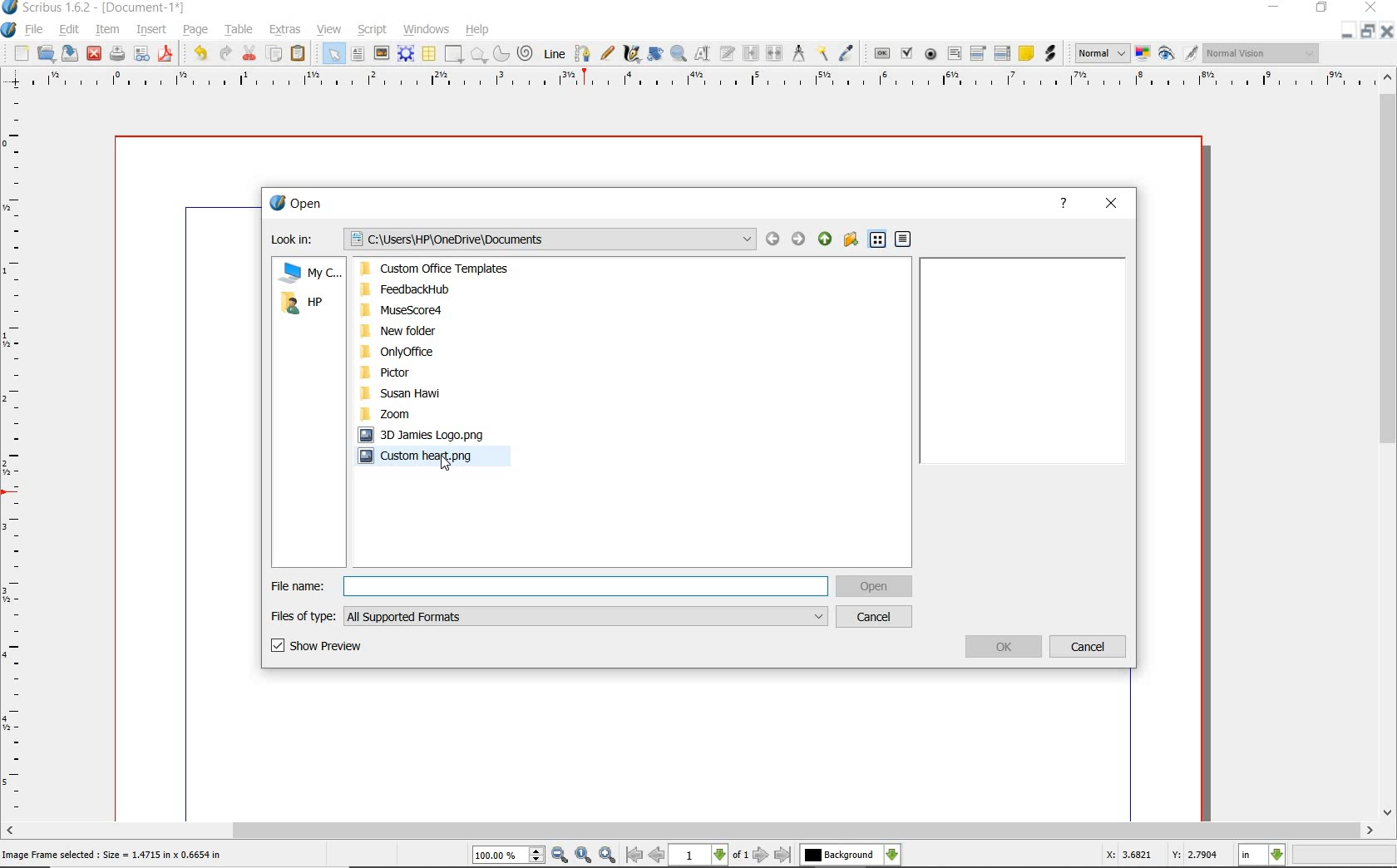 This screenshot has width=1397, height=868. What do you see at coordinates (847, 53) in the screenshot?
I see `eye dropper` at bounding box center [847, 53].